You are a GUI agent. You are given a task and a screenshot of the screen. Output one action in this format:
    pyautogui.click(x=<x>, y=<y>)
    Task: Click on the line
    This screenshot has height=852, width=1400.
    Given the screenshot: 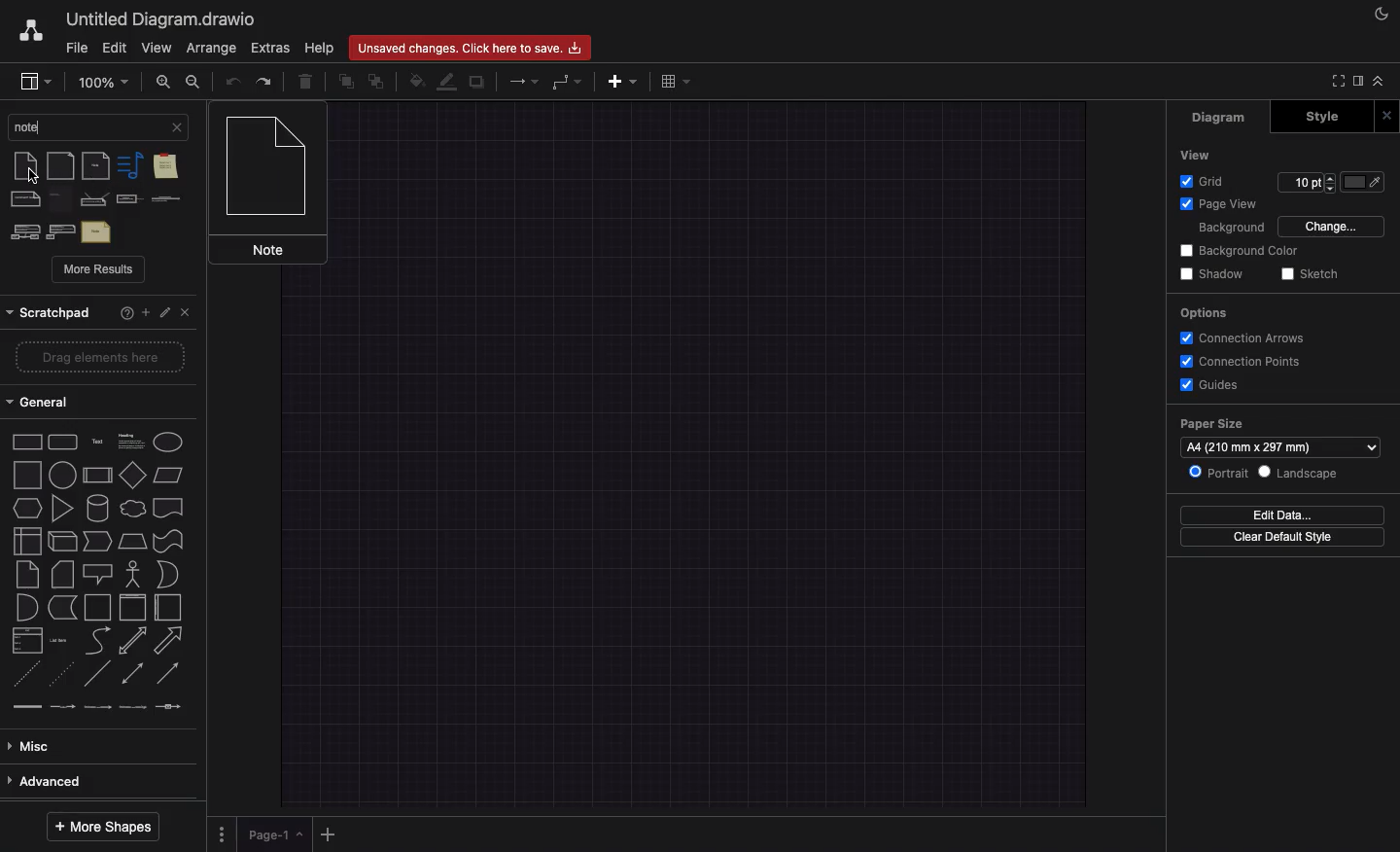 What is the action you would take?
    pyautogui.click(x=98, y=678)
    